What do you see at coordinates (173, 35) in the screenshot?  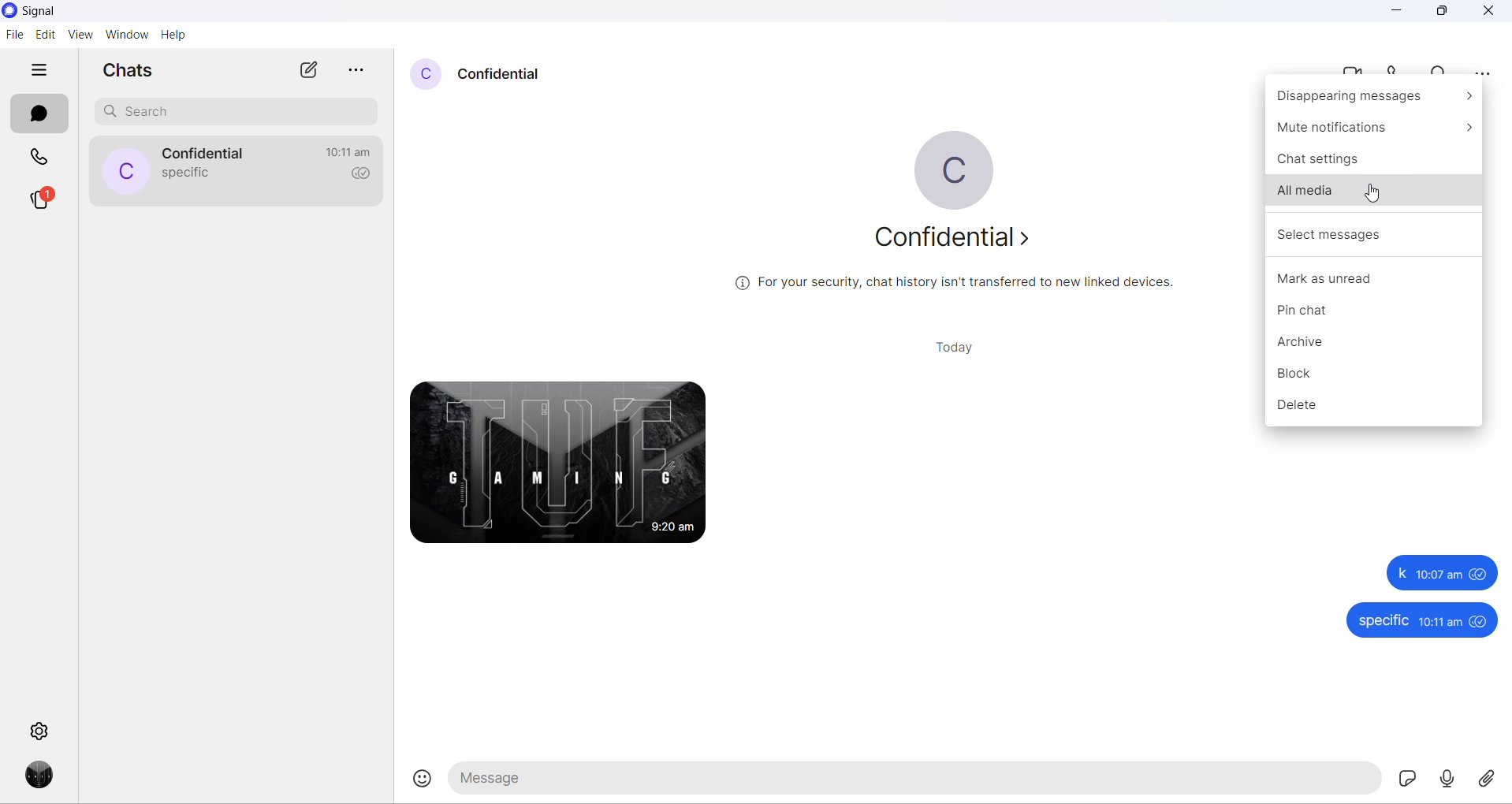 I see `help` at bounding box center [173, 35].